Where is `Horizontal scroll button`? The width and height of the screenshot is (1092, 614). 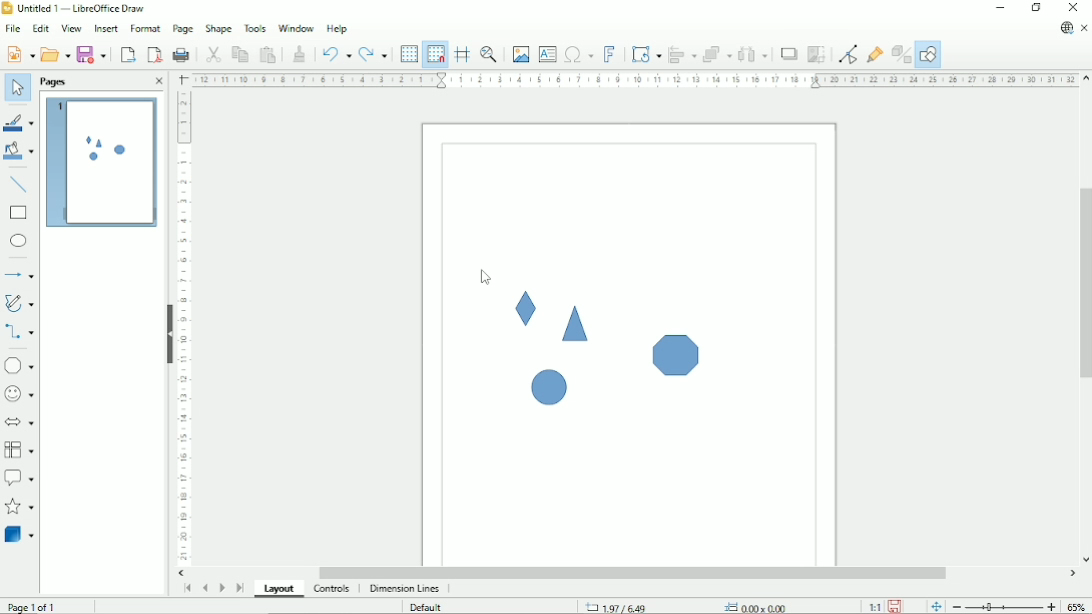 Horizontal scroll button is located at coordinates (1073, 573).